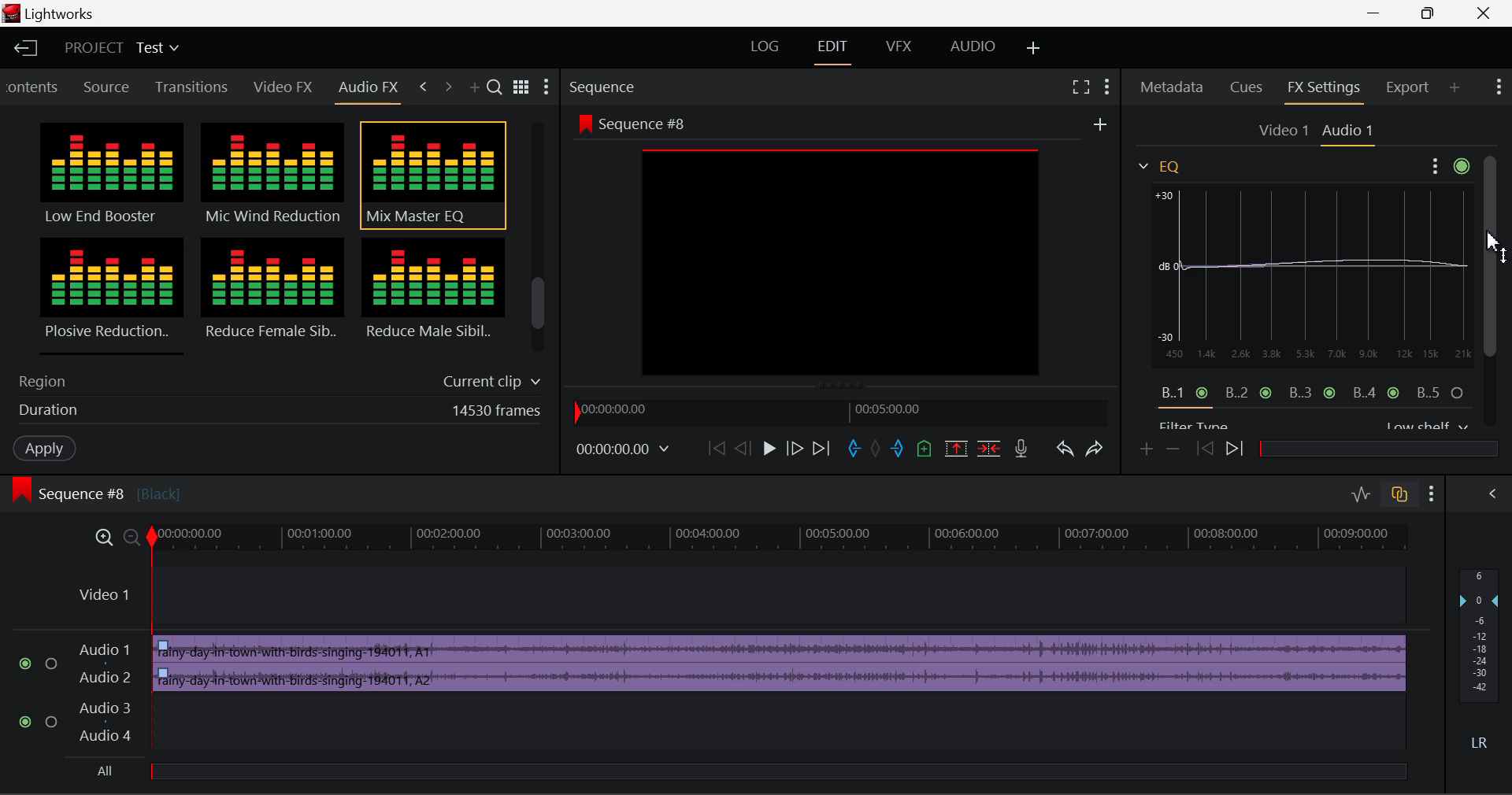  I want to click on Seetings, so click(1470, 167).